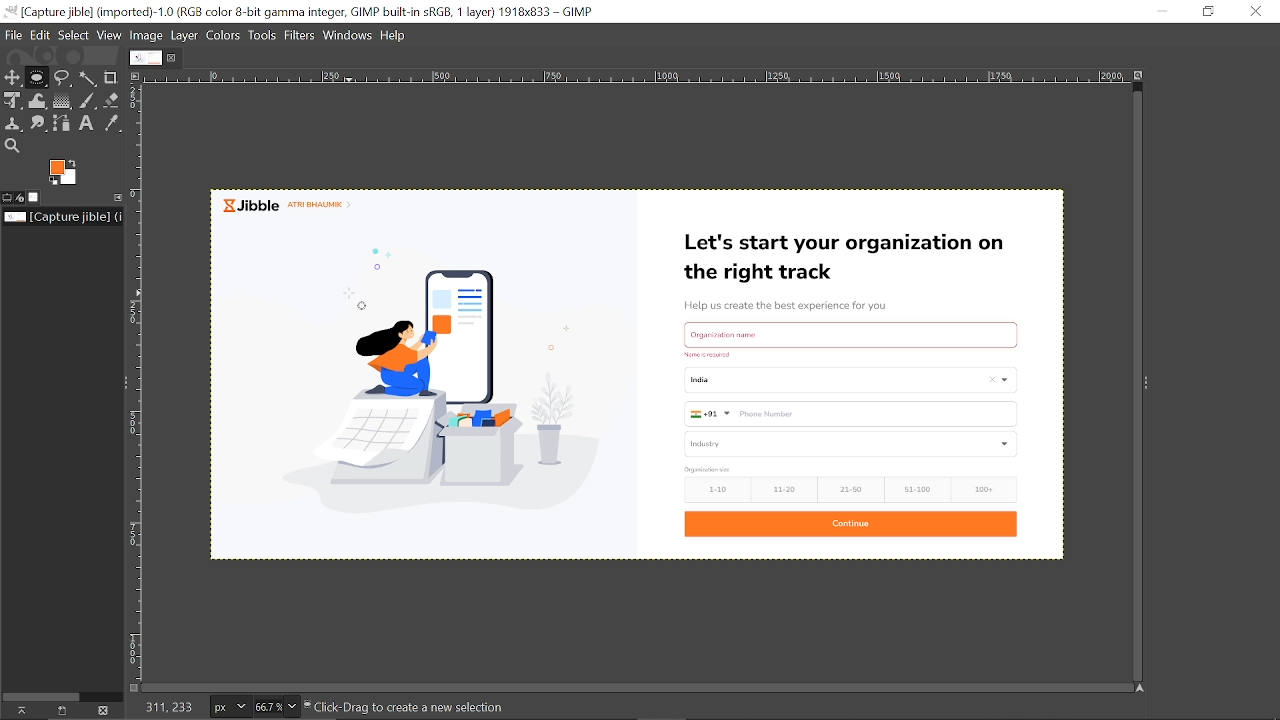  What do you see at coordinates (41, 35) in the screenshot?
I see `Edit` at bounding box center [41, 35].